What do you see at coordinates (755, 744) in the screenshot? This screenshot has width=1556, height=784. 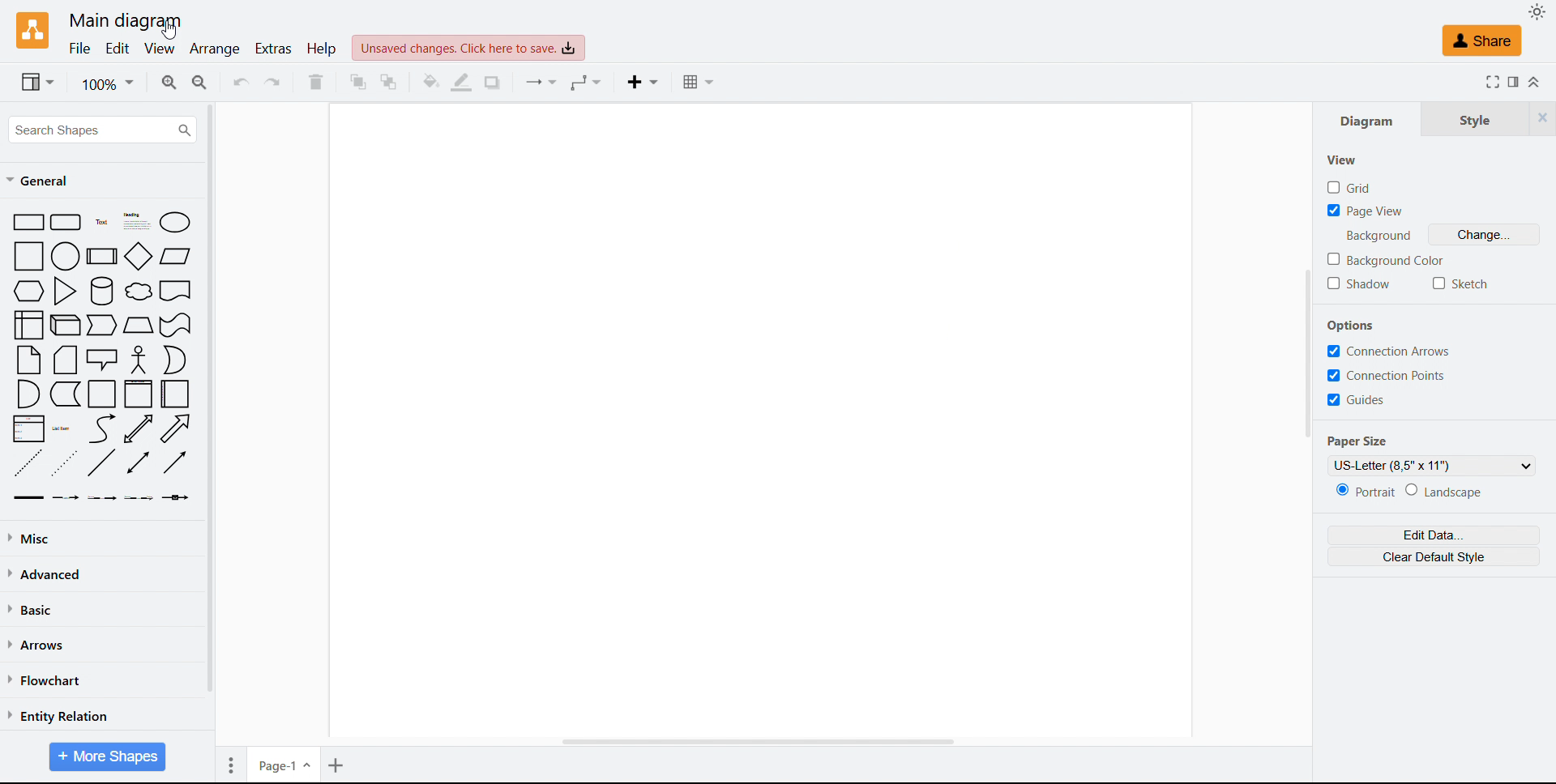 I see `Scroll bar Horizontal  ` at bounding box center [755, 744].